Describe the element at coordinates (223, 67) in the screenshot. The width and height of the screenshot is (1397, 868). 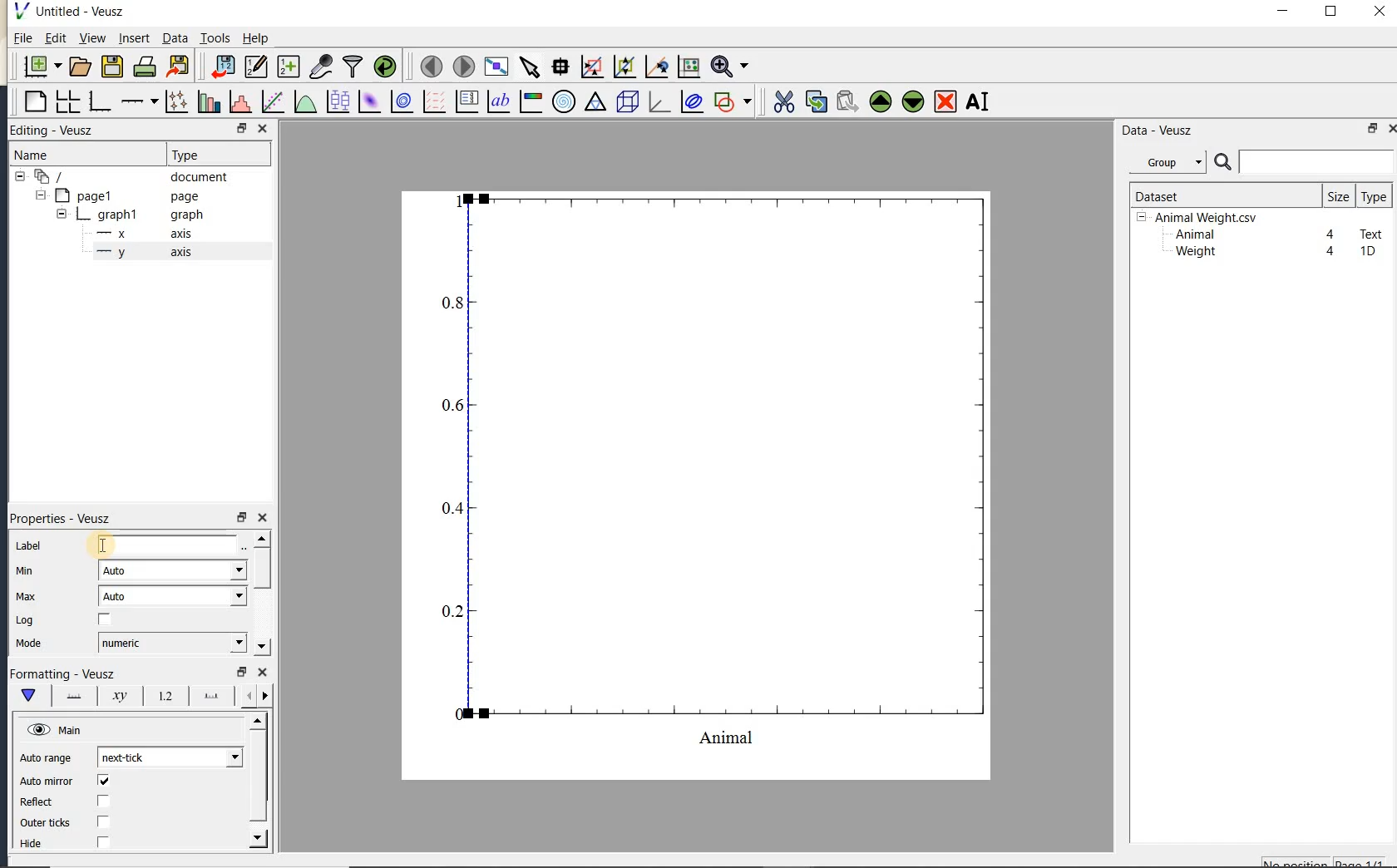
I see `import data into Veusz` at that location.